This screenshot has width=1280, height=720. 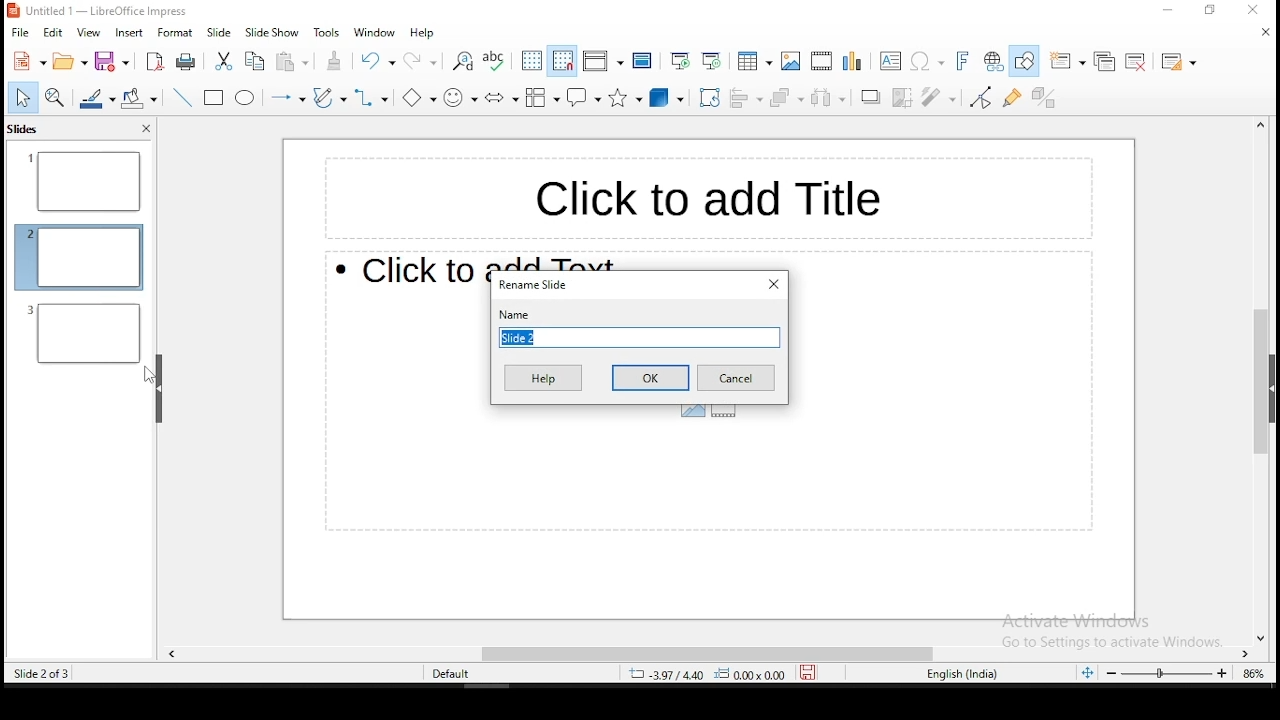 I want to click on 0.00x0.00, so click(x=756, y=675).